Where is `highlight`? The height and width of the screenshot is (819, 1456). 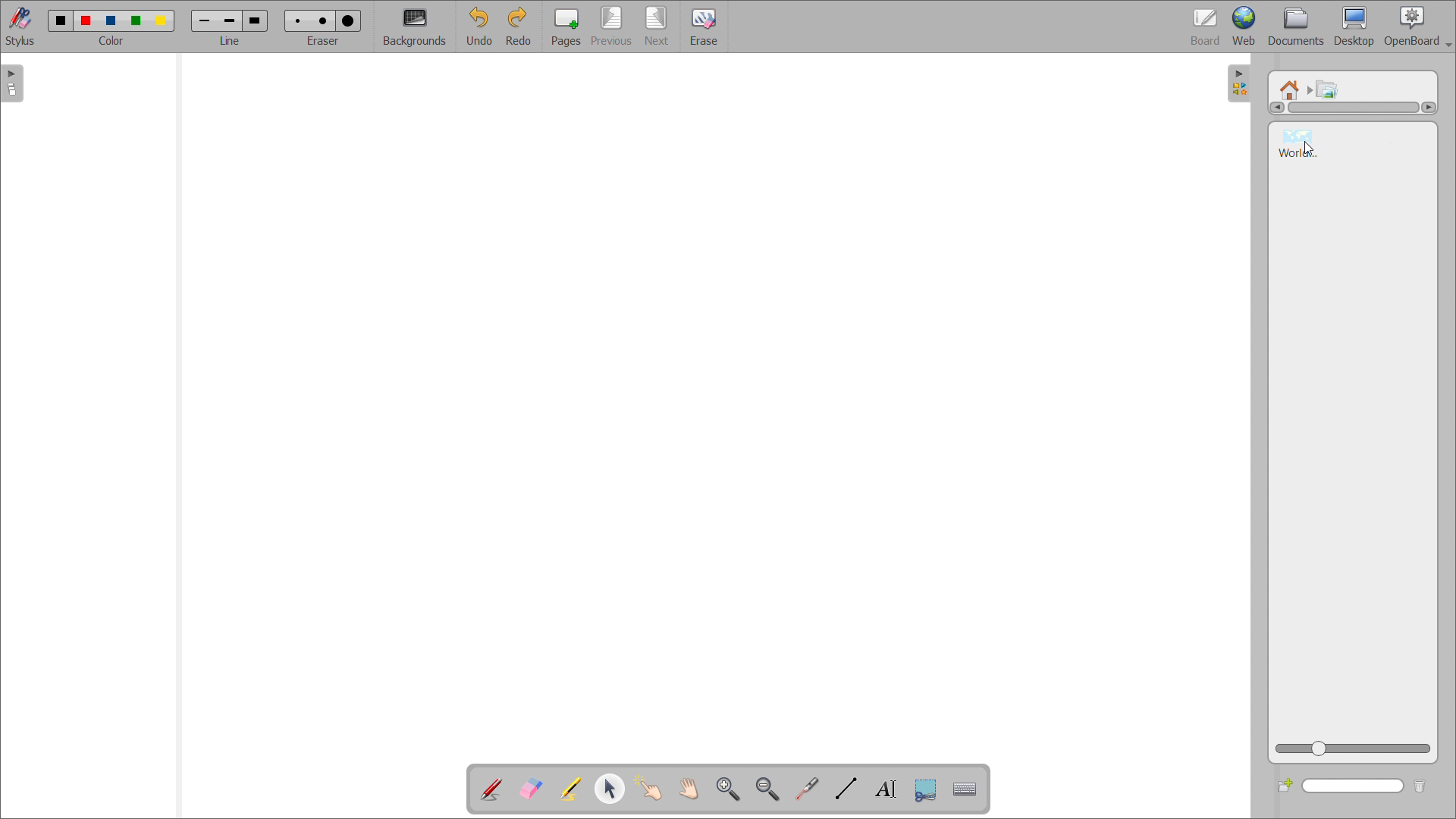
highlight is located at coordinates (571, 790).